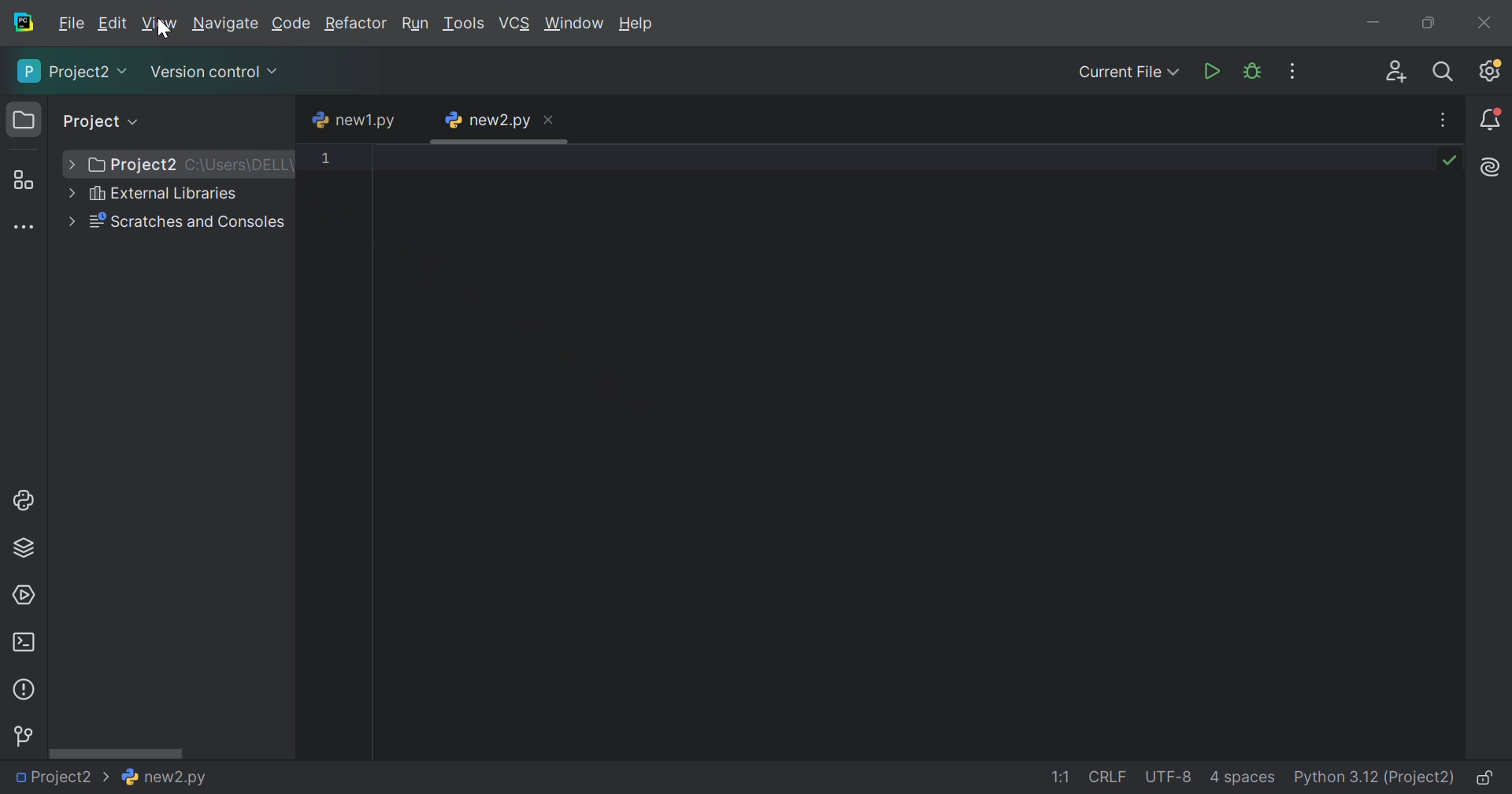 Image resolution: width=1512 pixels, height=794 pixels. I want to click on Minimize, so click(1375, 22).